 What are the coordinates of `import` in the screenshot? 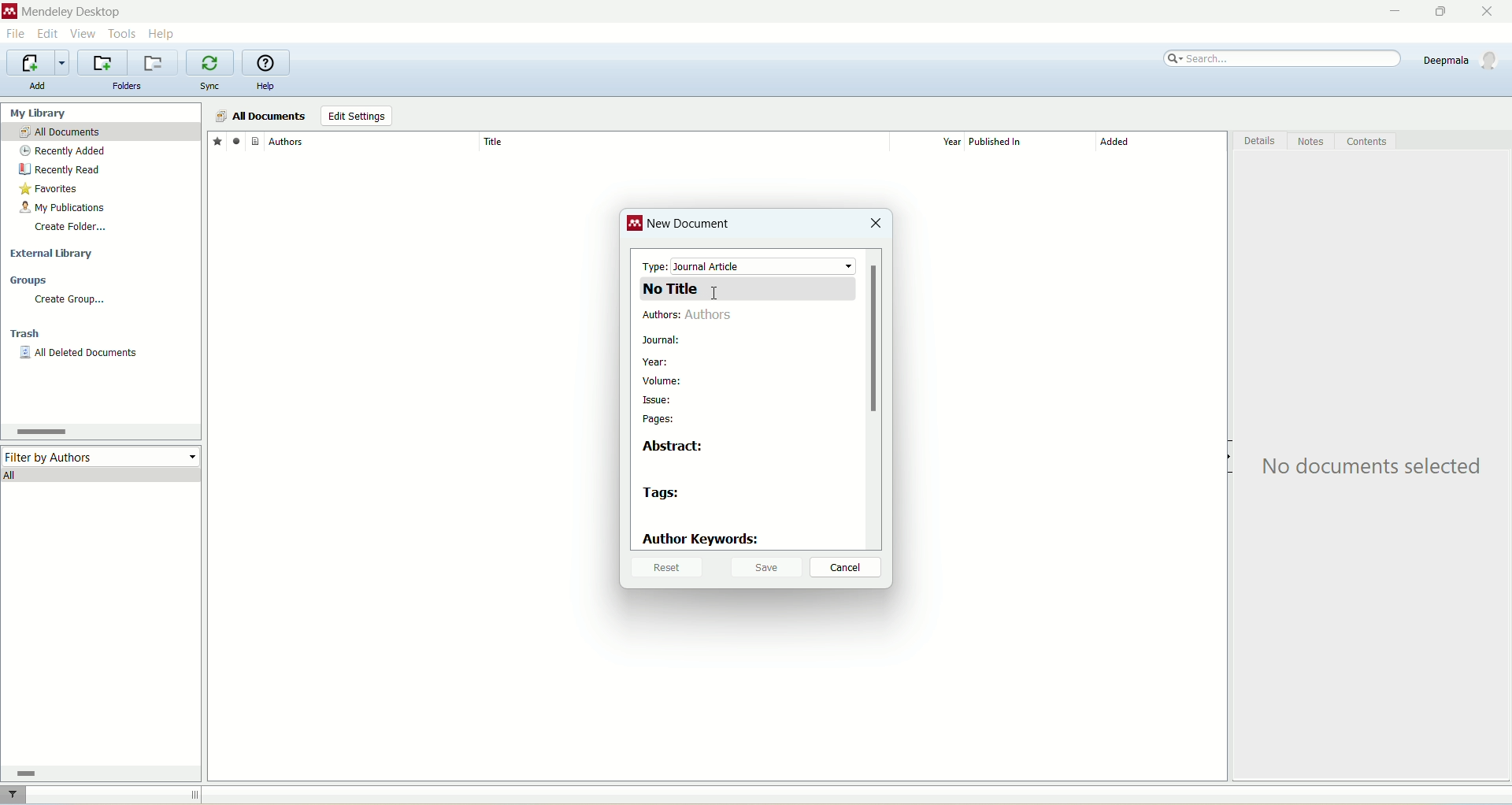 It's located at (35, 63).